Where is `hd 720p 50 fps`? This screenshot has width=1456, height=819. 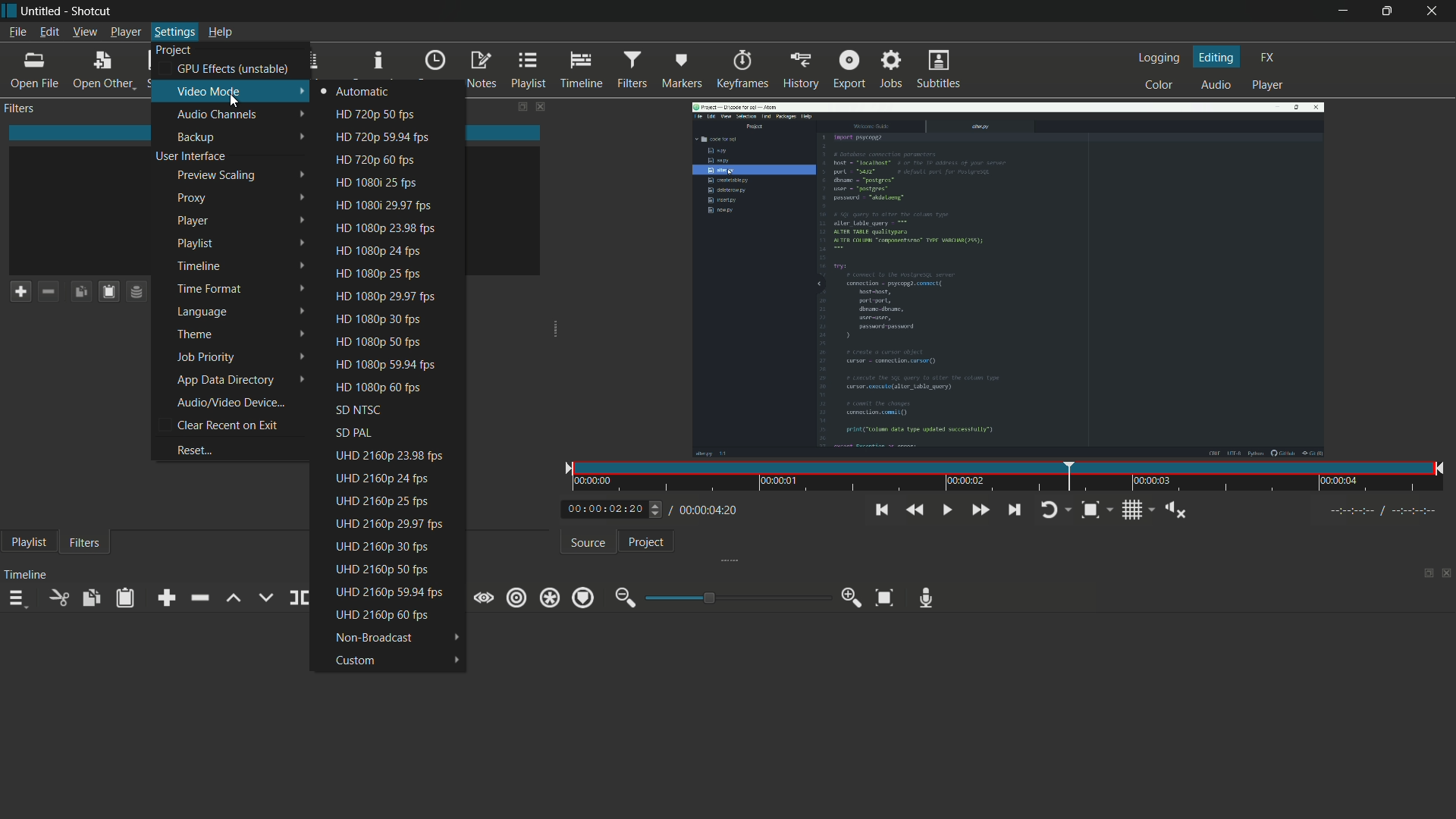
hd 720p 50 fps is located at coordinates (395, 115).